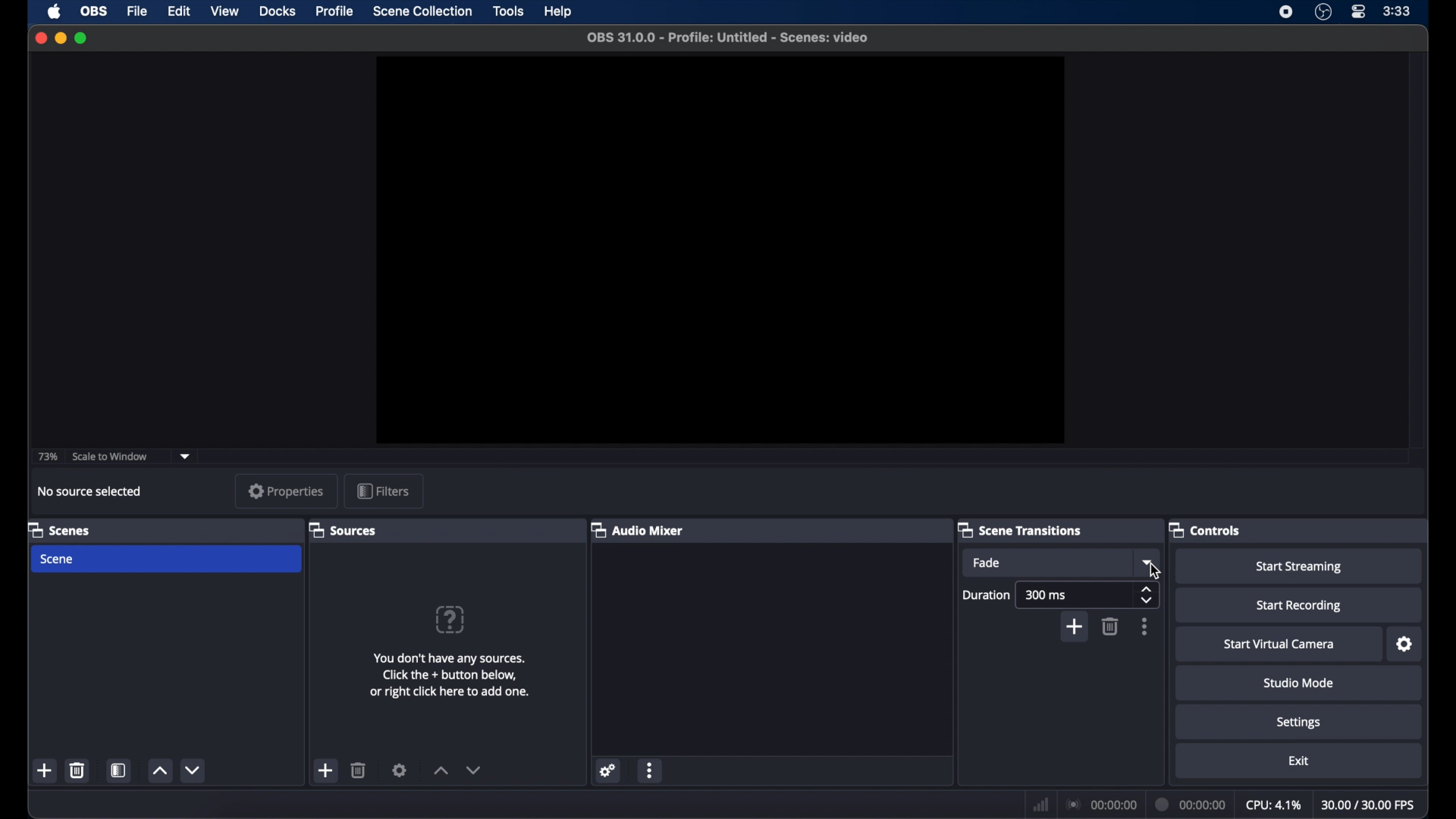  I want to click on You don't have any sources.
Click the + button below,
or right click here to add one., so click(456, 680).